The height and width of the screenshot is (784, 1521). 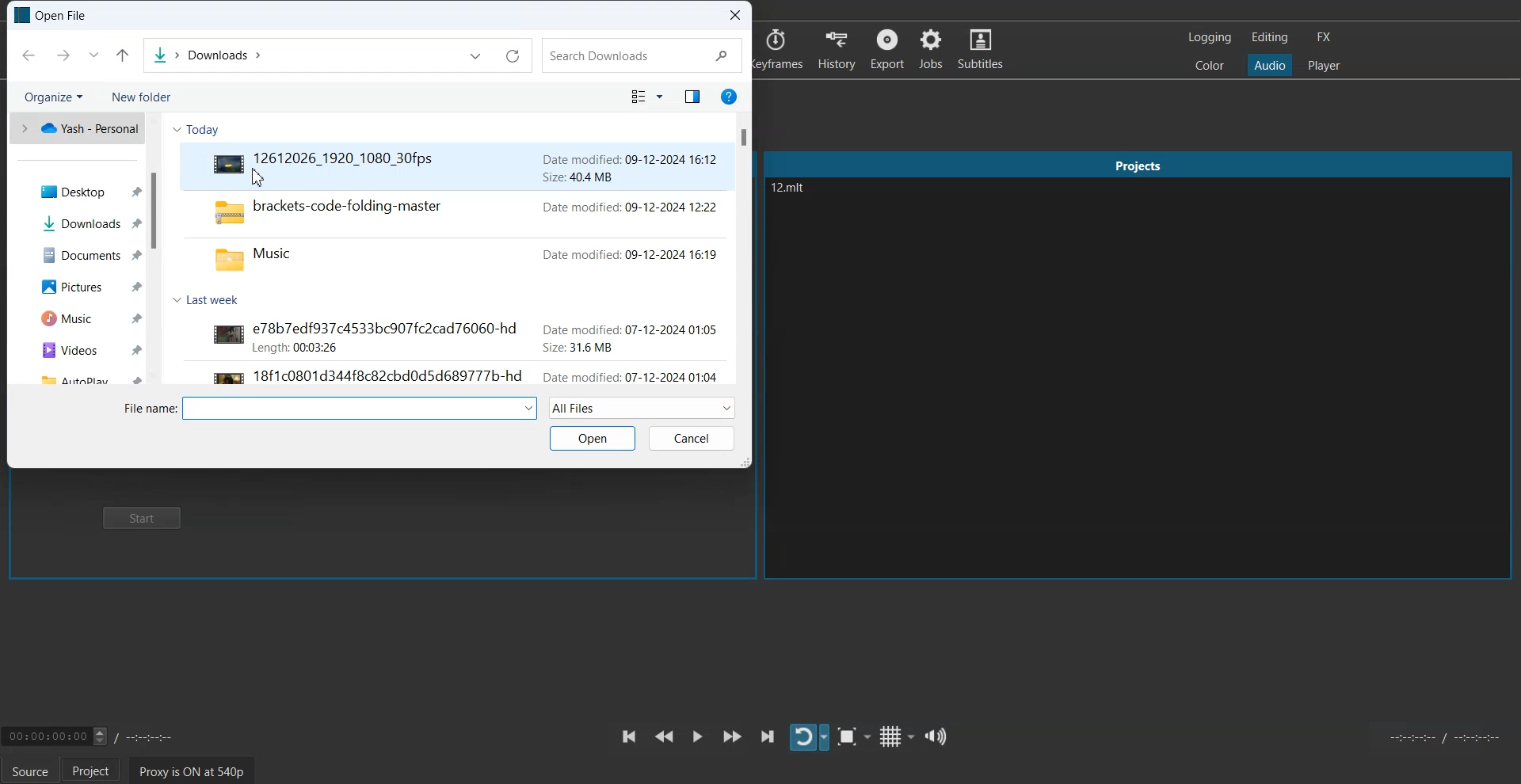 What do you see at coordinates (28, 55) in the screenshot?
I see `Go Back` at bounding box center [28, 55].